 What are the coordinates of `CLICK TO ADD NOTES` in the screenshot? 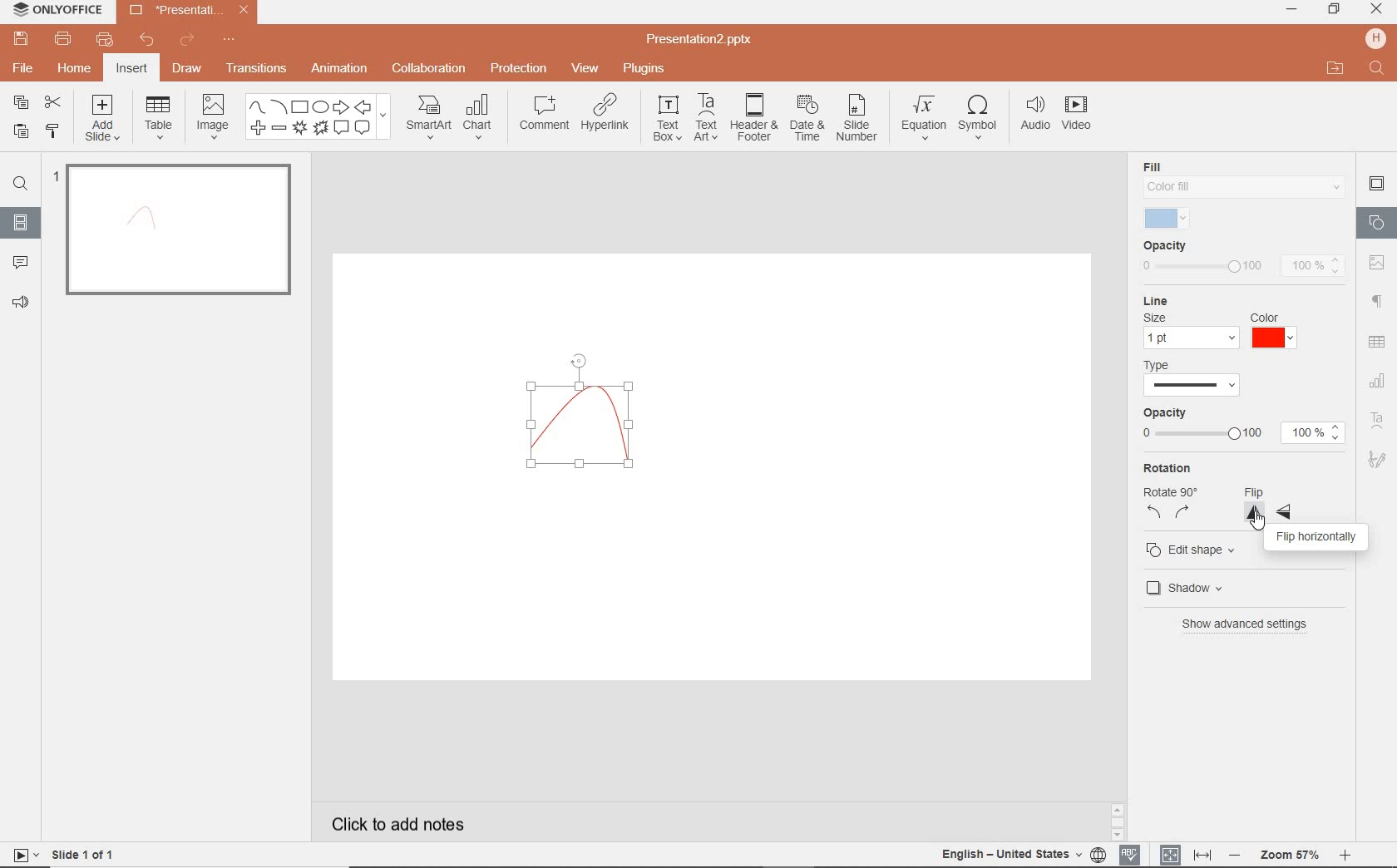 It's located at (403, 824).